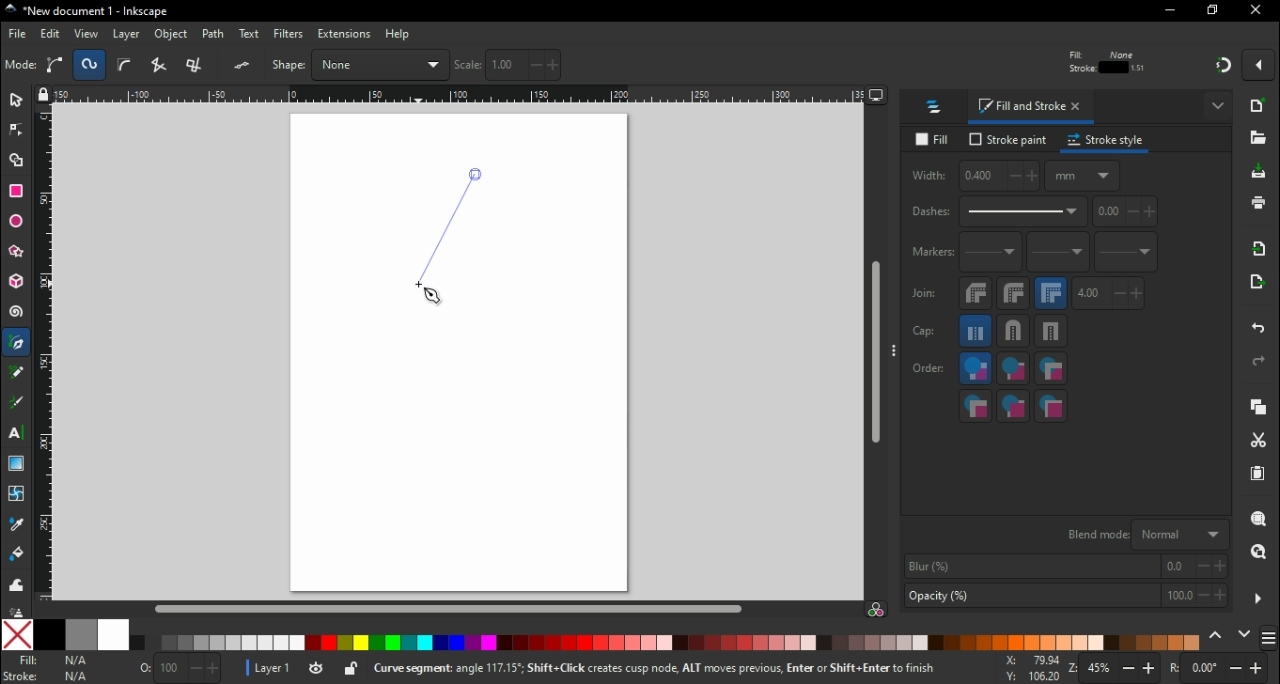 This screenshot has height=684, width=1280. What do you see at coordinates (929, 370) in the screenshot?
I see `order` at bounding box center [929, 370].